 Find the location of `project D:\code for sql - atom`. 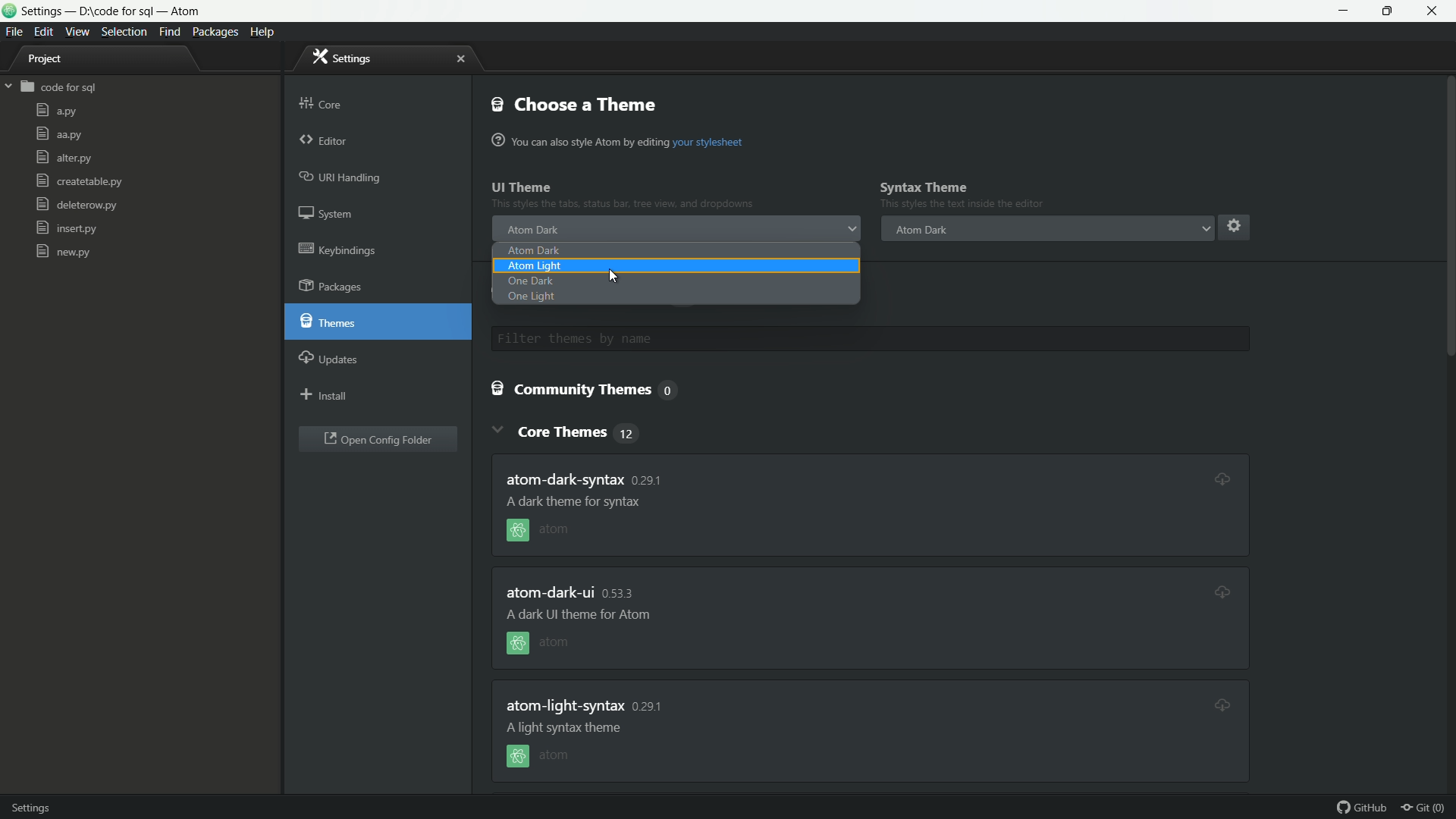

project D:\code for sql - atom is located at coordinates (112, 12).